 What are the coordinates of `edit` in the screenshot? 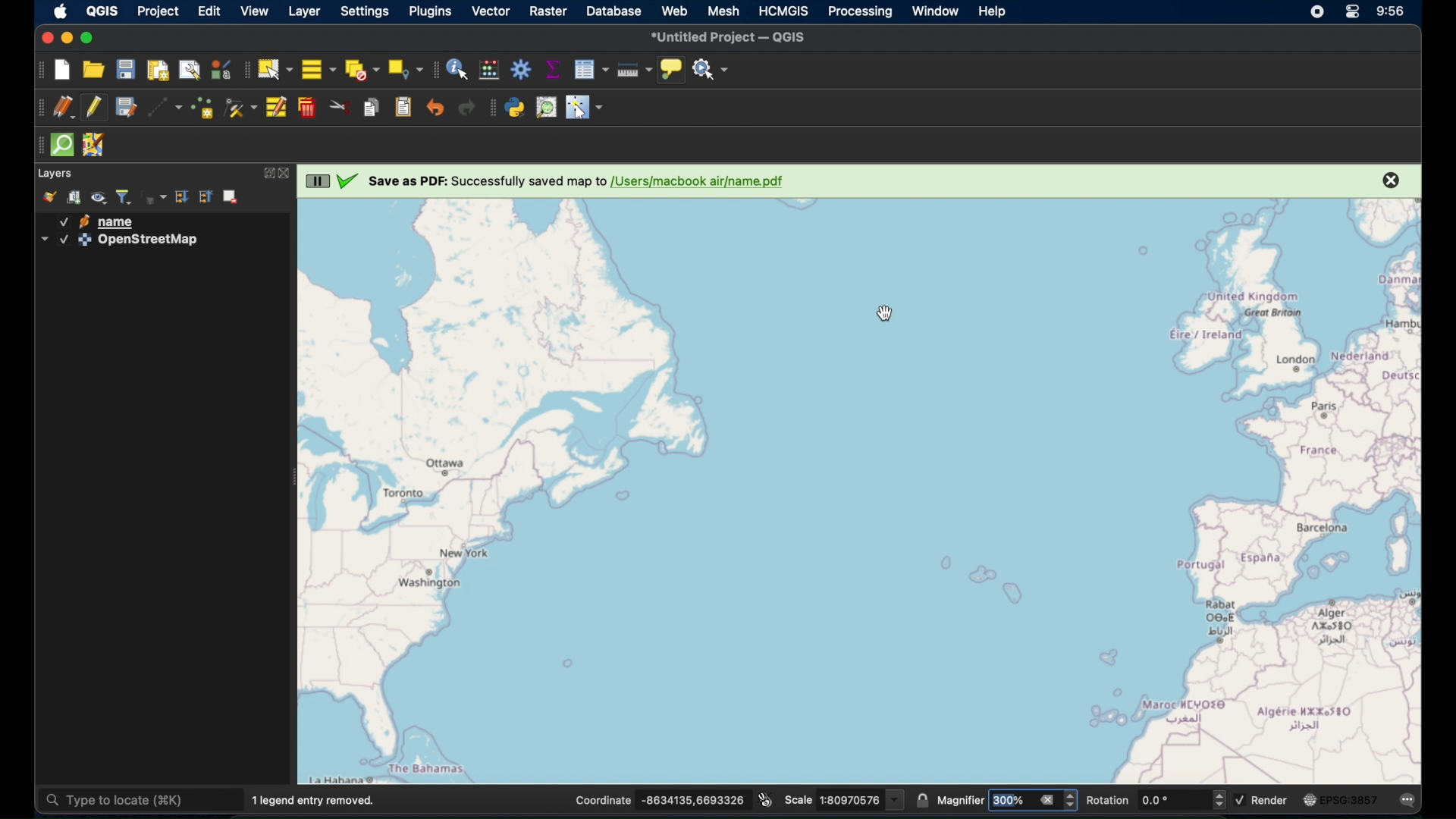 It's located at (210, 11).